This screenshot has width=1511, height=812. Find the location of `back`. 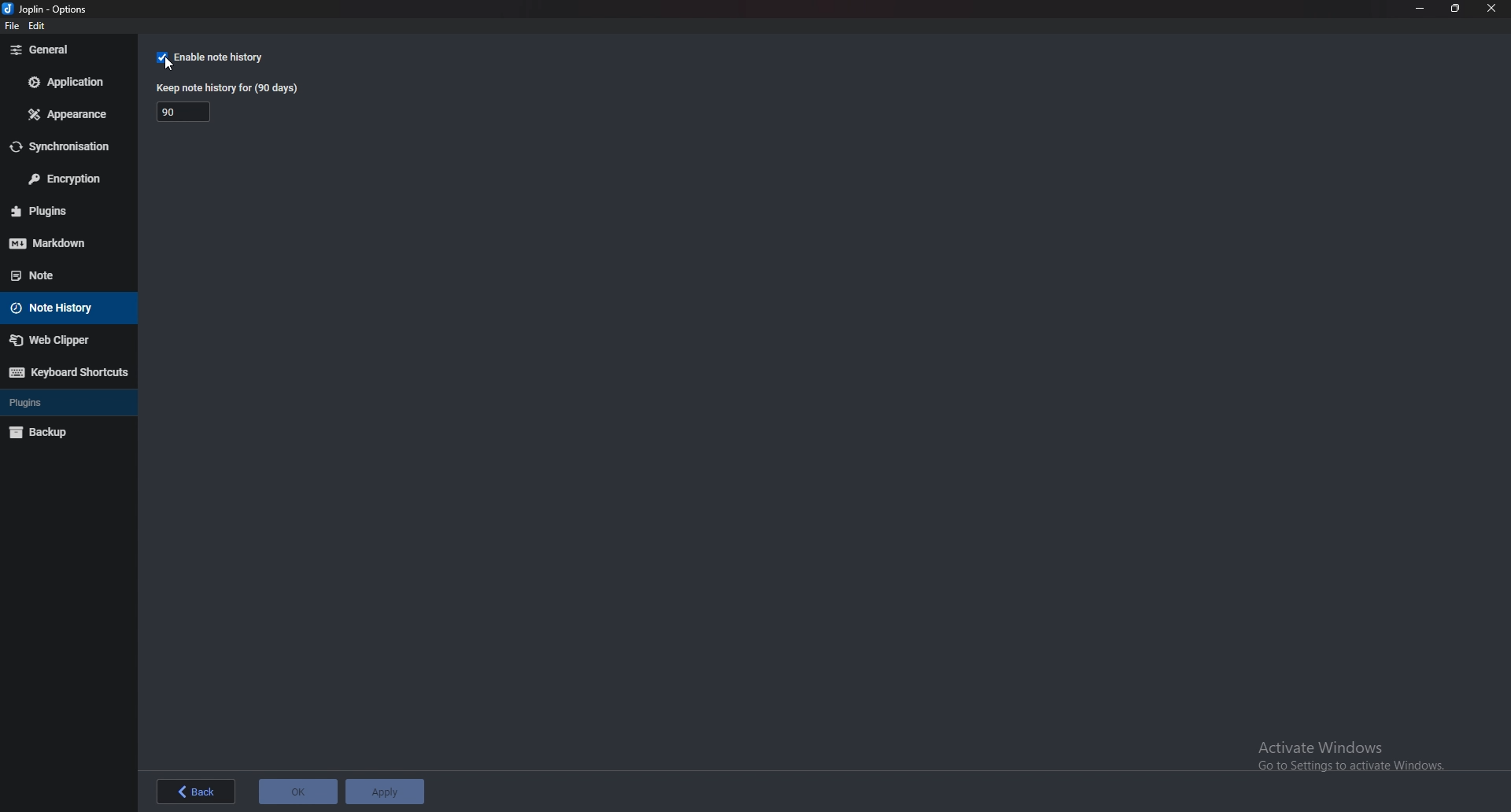

back is located at coordinates (196, 792).